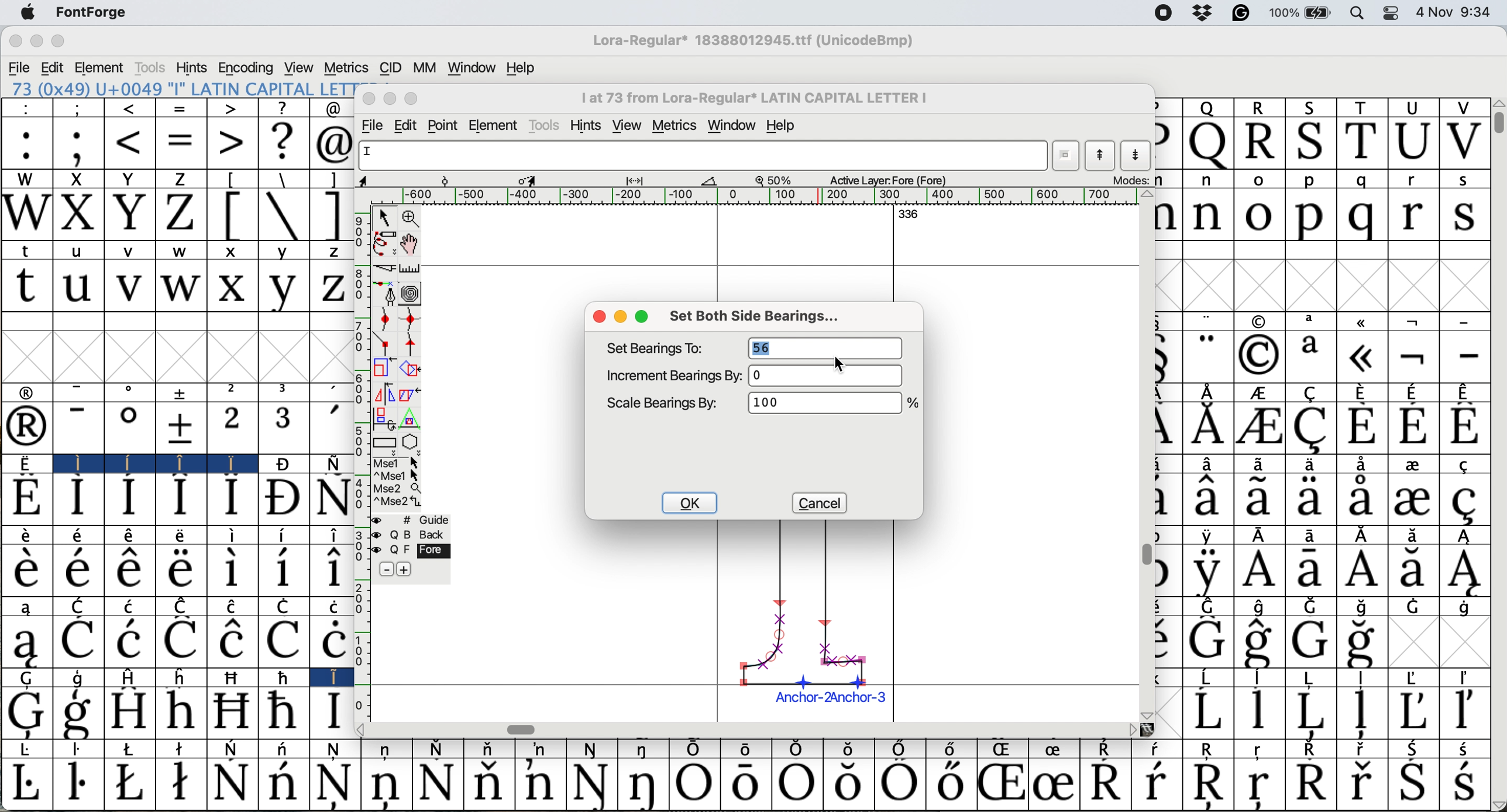 This screenshot has width=1507, height=812. Describe the element at coordinates (1456, 12) in the screenshot. I see `4 Nov 9:34` at that location.